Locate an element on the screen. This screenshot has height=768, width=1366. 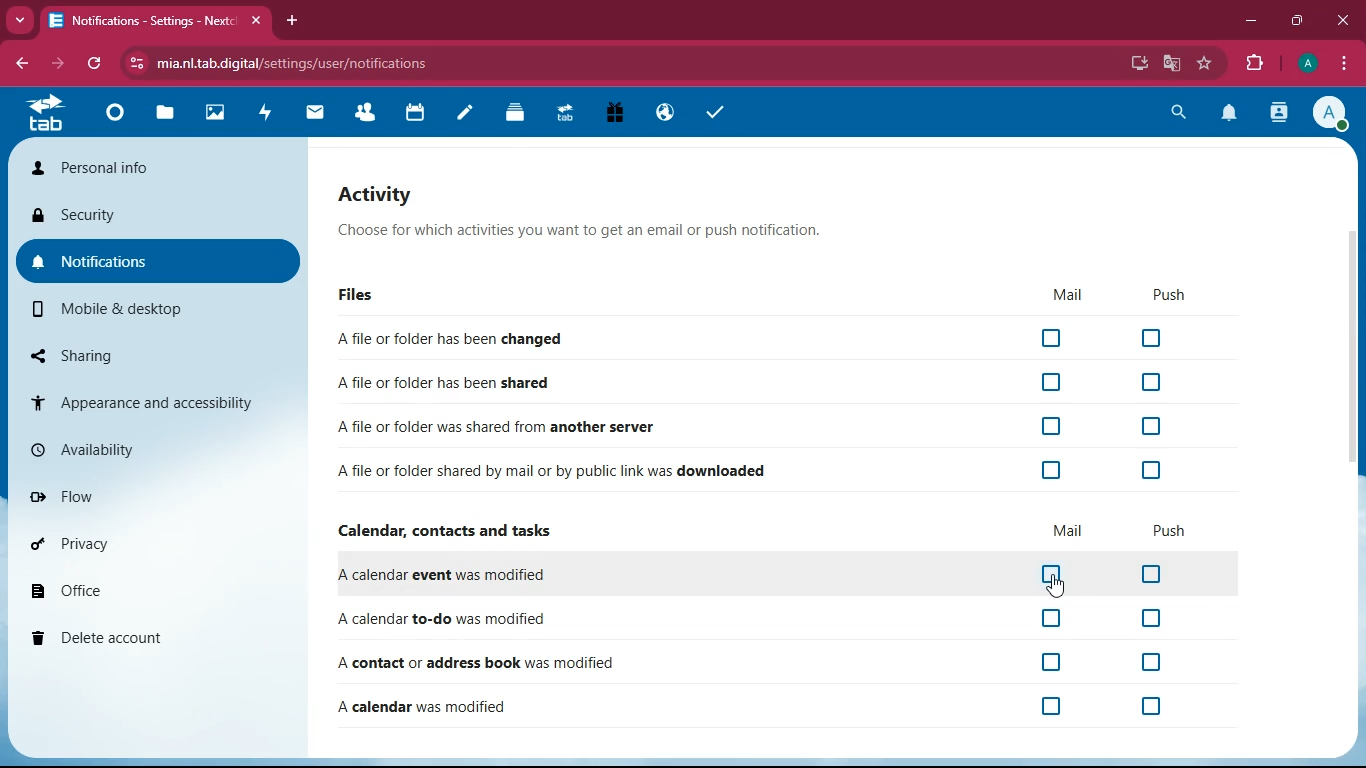
task is located at coordinates (720, 115).